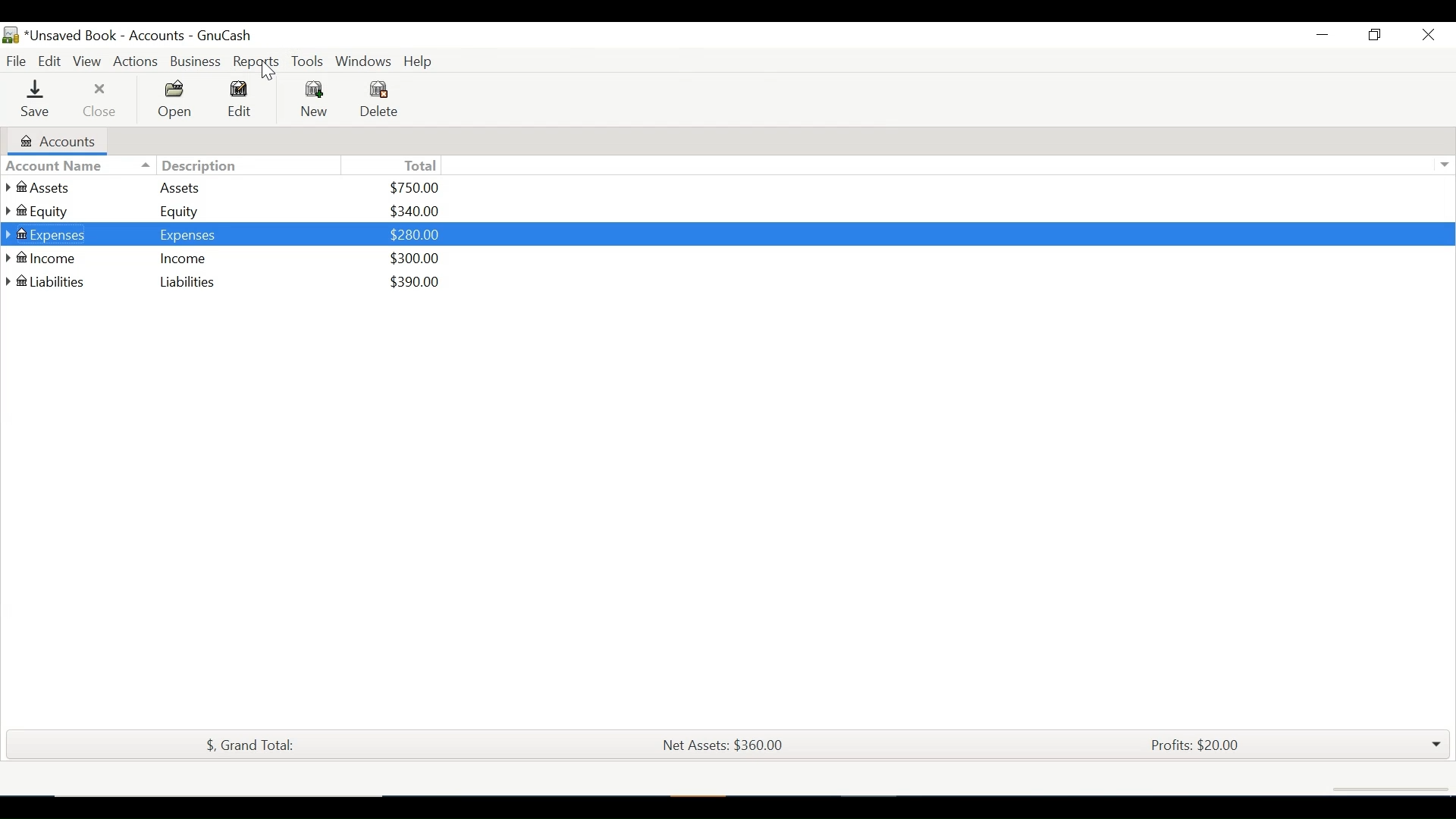  Describe the element at coordinates (40, 99) in the screenshot. I see `Save` at that location.